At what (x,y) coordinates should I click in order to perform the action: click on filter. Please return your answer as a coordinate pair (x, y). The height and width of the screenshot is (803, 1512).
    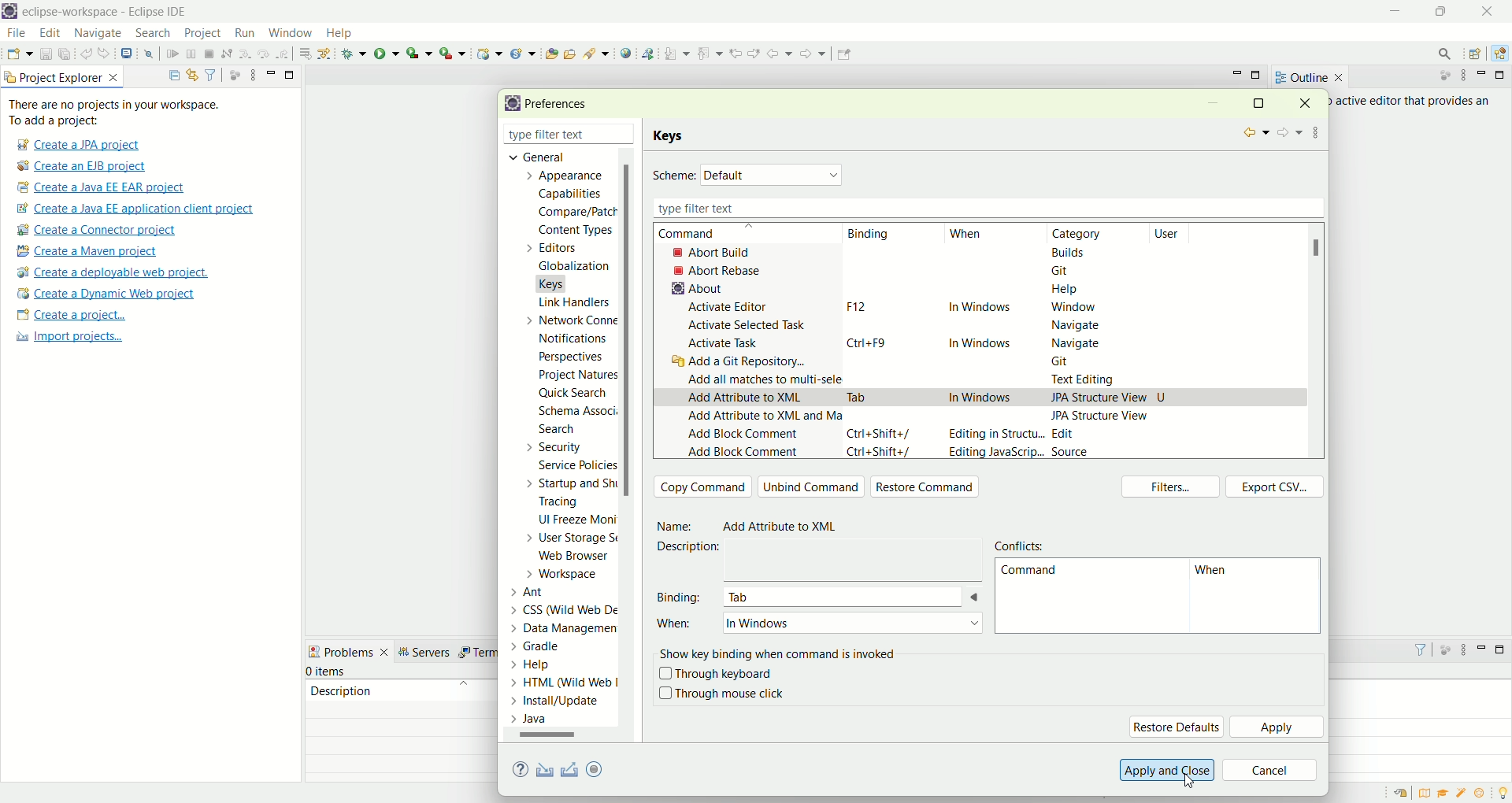
    Looking at the image, I should click on (1414, 649).